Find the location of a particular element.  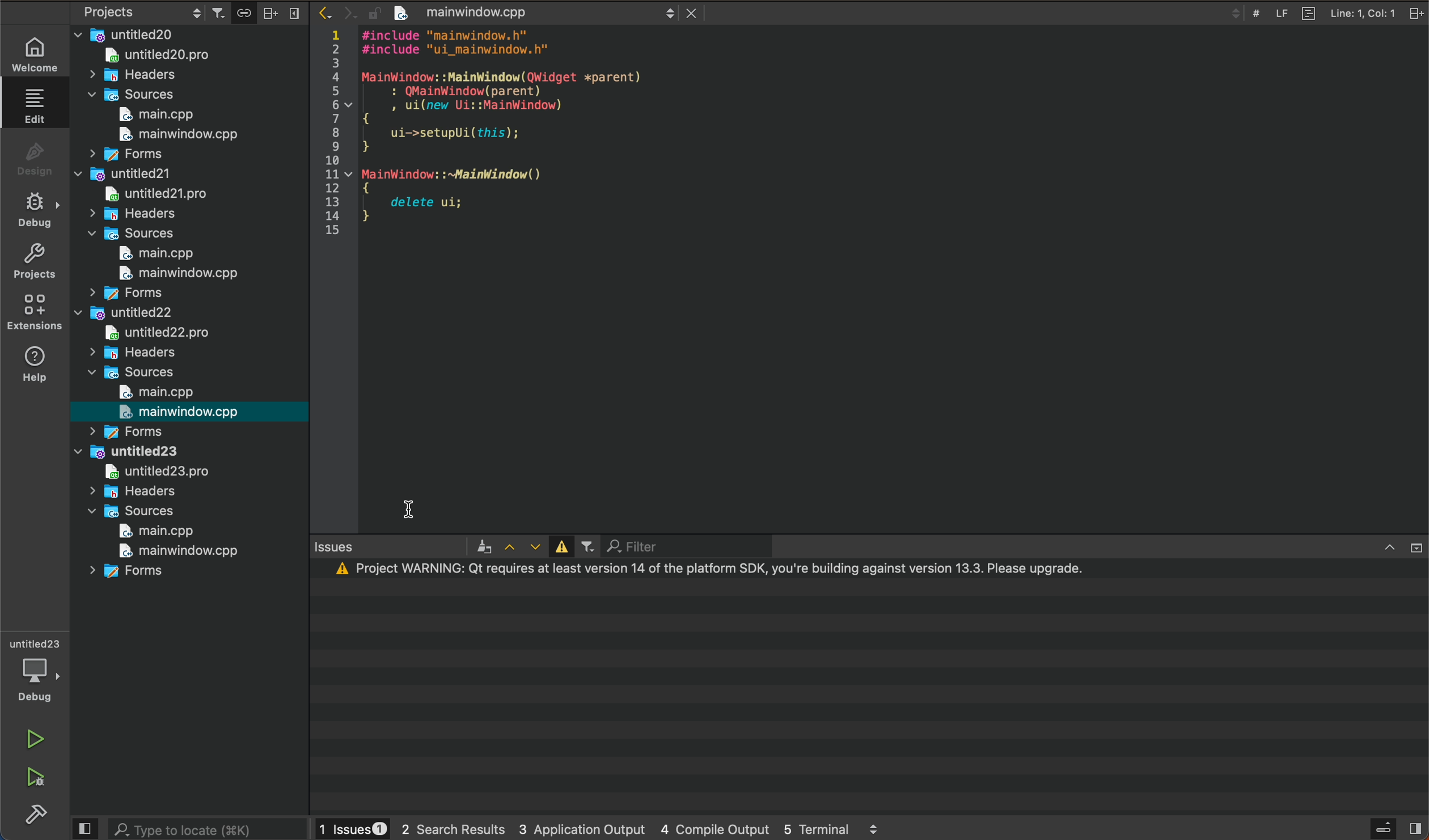

sources is located at coordinates (128, 234).